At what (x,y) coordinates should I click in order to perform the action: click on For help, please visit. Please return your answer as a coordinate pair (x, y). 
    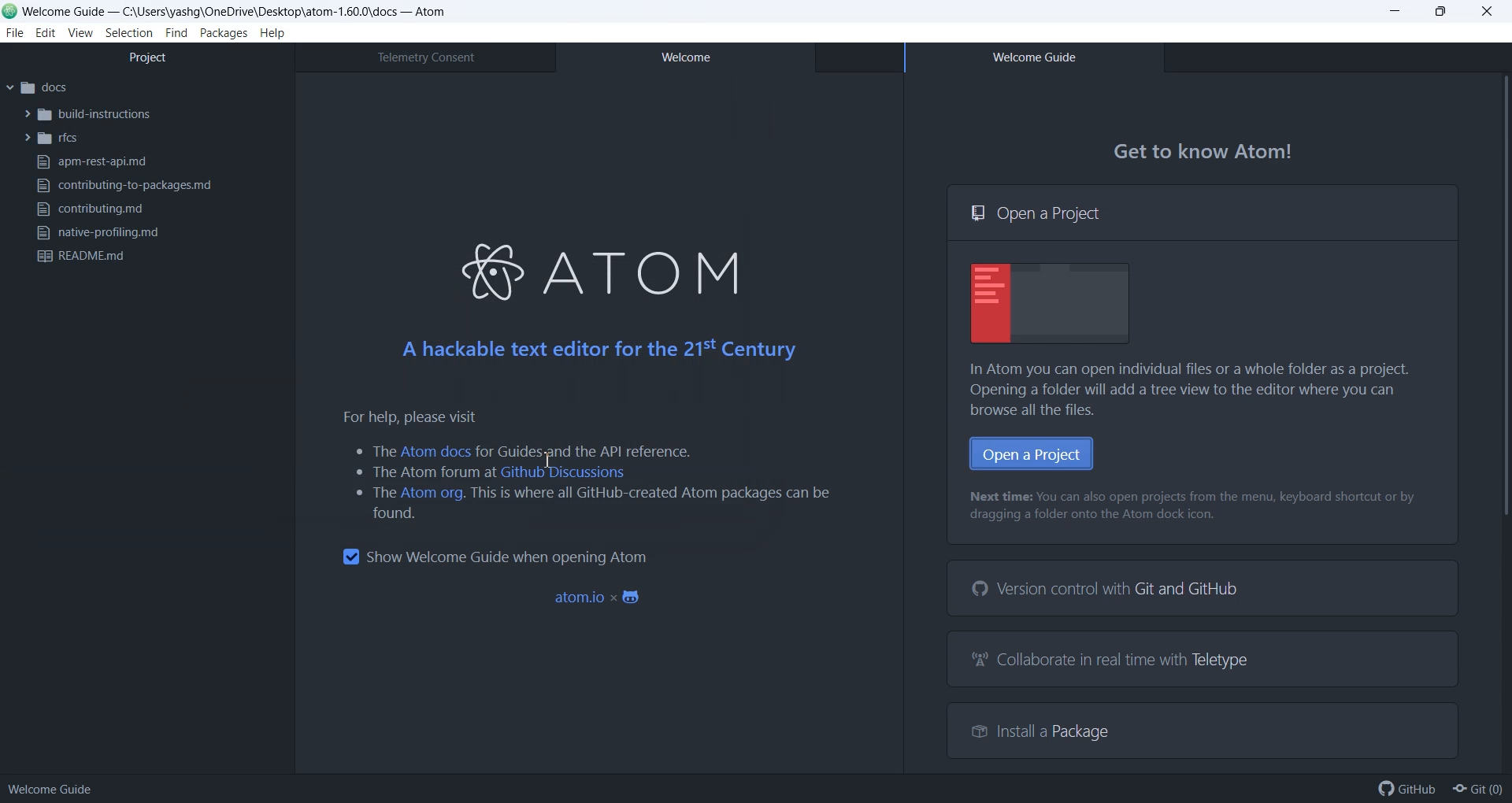
    Looking at the image, I should click on (399, 417).